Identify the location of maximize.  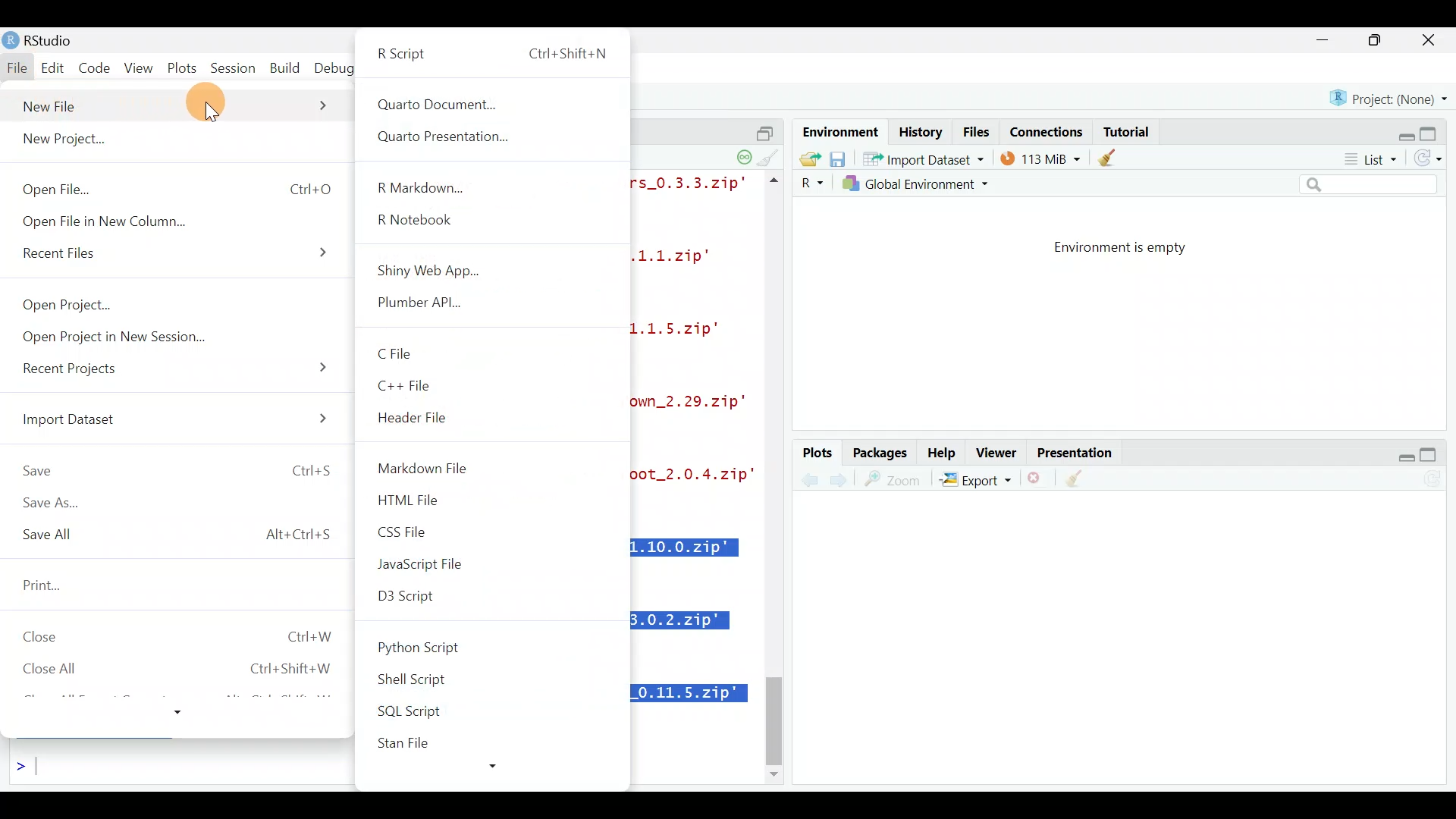
(1435, 454).